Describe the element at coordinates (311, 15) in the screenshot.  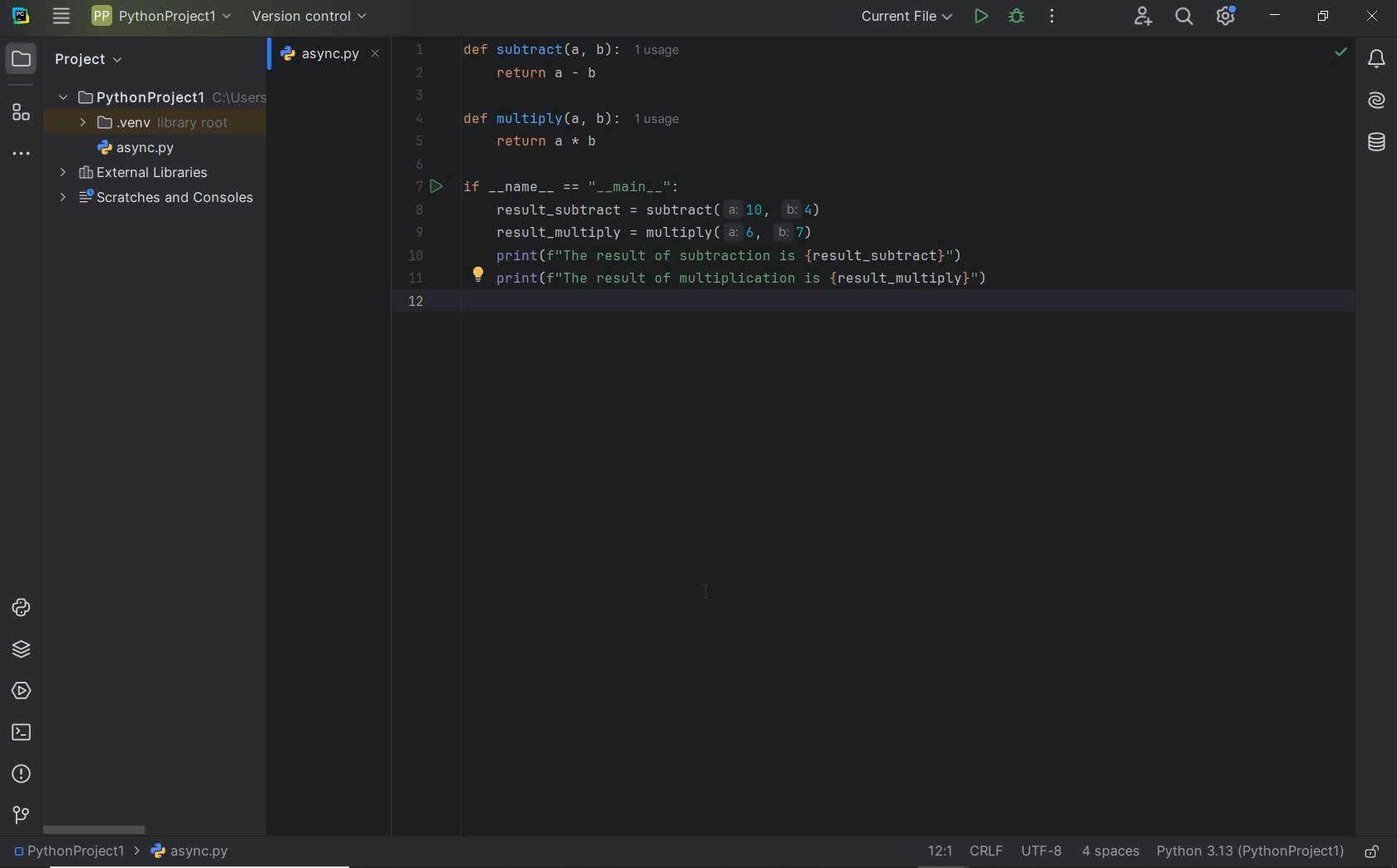
I see `version control` at that location.